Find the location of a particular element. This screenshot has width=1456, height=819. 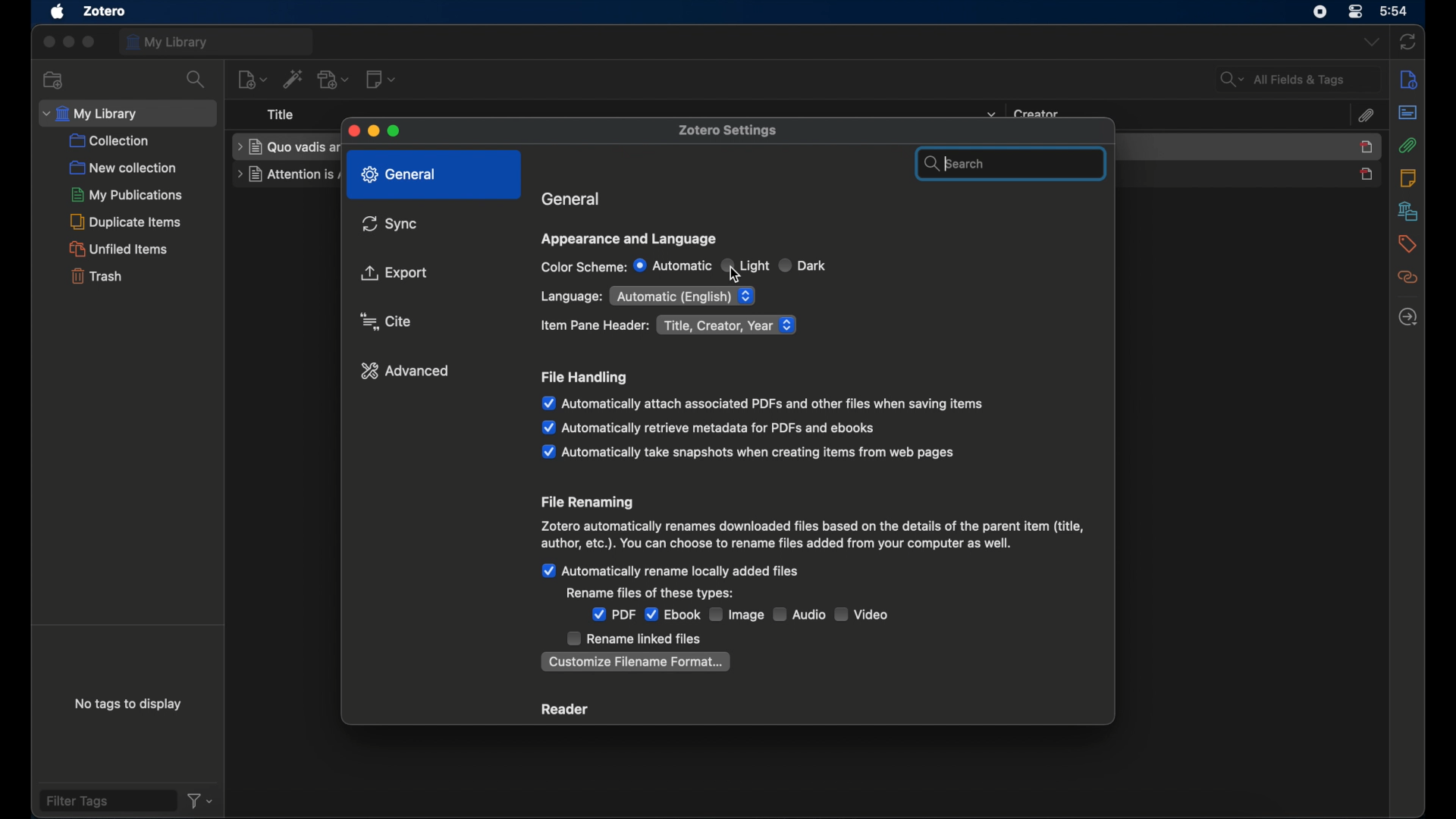

image is located at coordinates (736, 614).